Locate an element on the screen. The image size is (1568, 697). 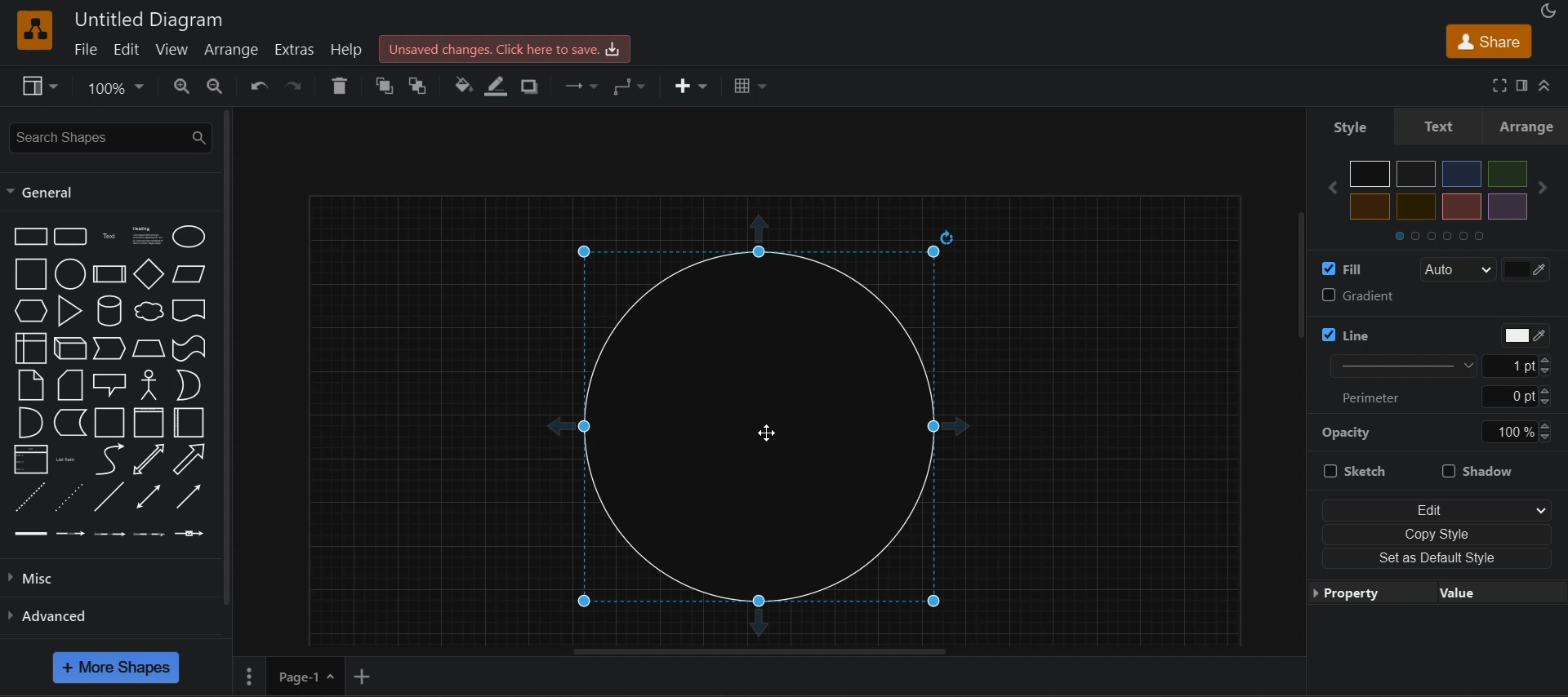
rectangle is located at coordinates (29, 237).